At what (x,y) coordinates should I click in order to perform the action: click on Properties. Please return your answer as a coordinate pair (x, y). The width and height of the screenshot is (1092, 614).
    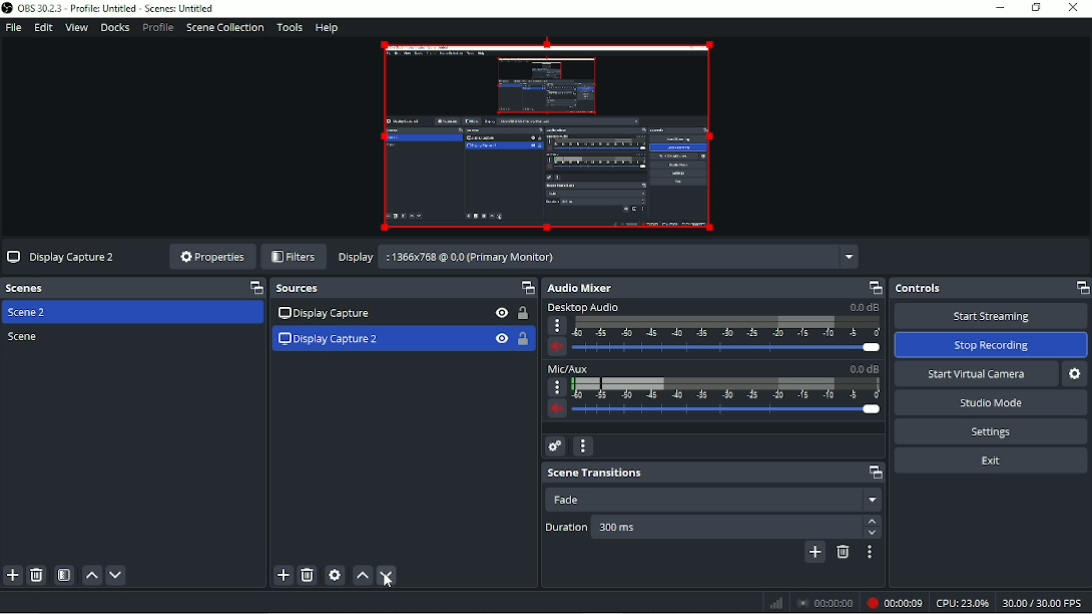
    Looking at the image, I should click on (210, 257).